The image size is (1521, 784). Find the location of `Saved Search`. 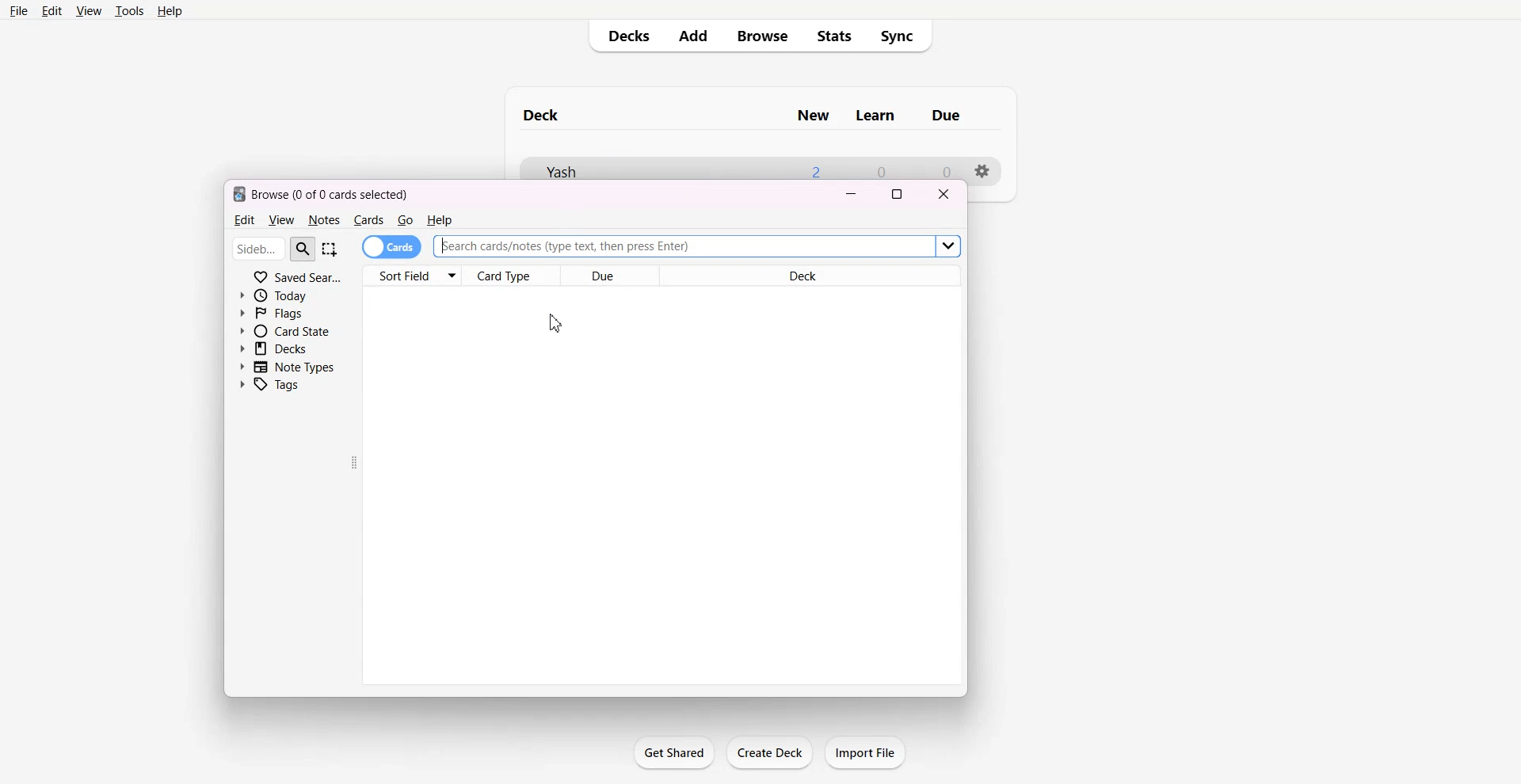

Saved Search is located at coordinates (298, 276).